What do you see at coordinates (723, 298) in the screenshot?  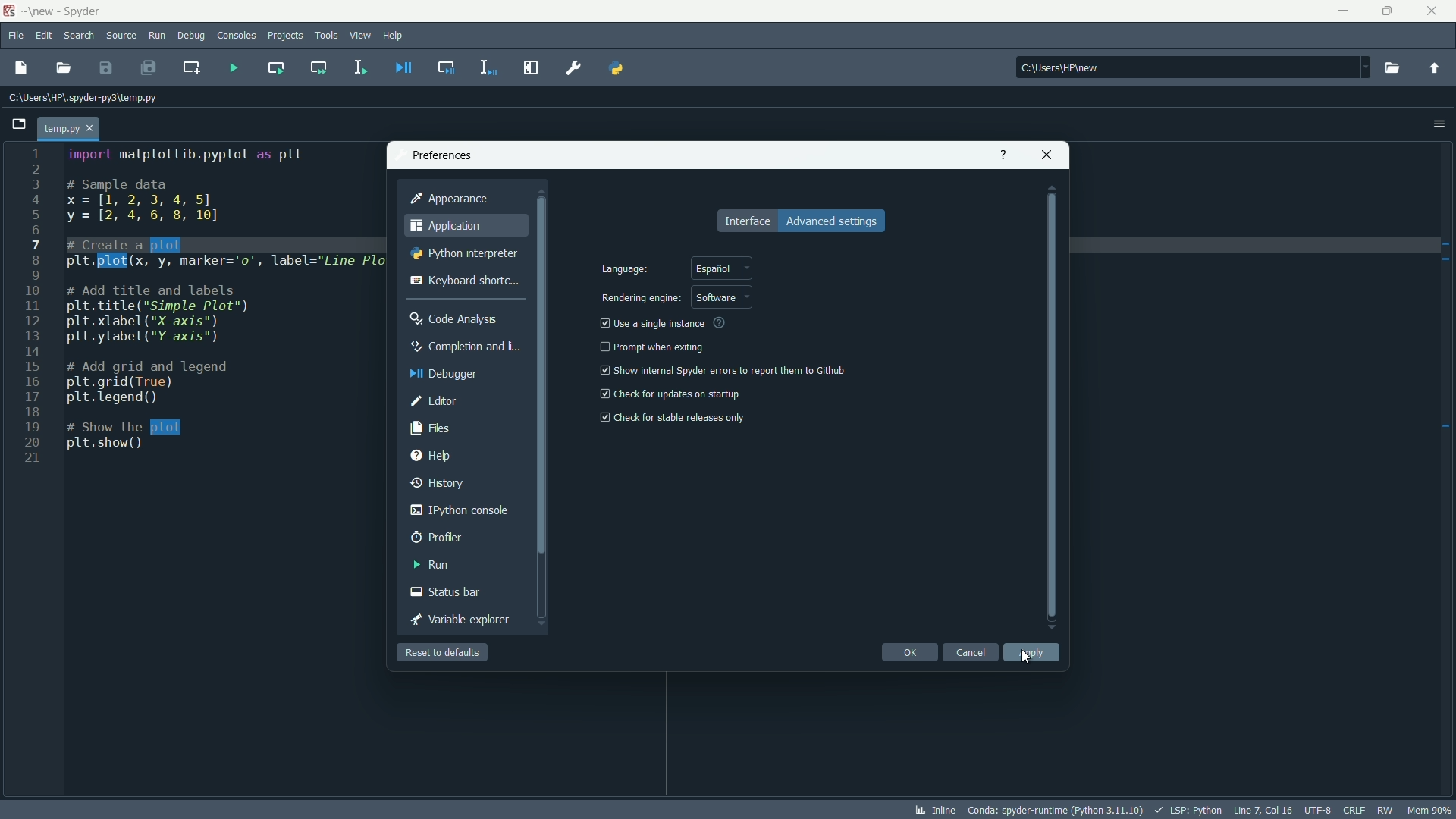 I see `software` at bounding box center [723, 298].